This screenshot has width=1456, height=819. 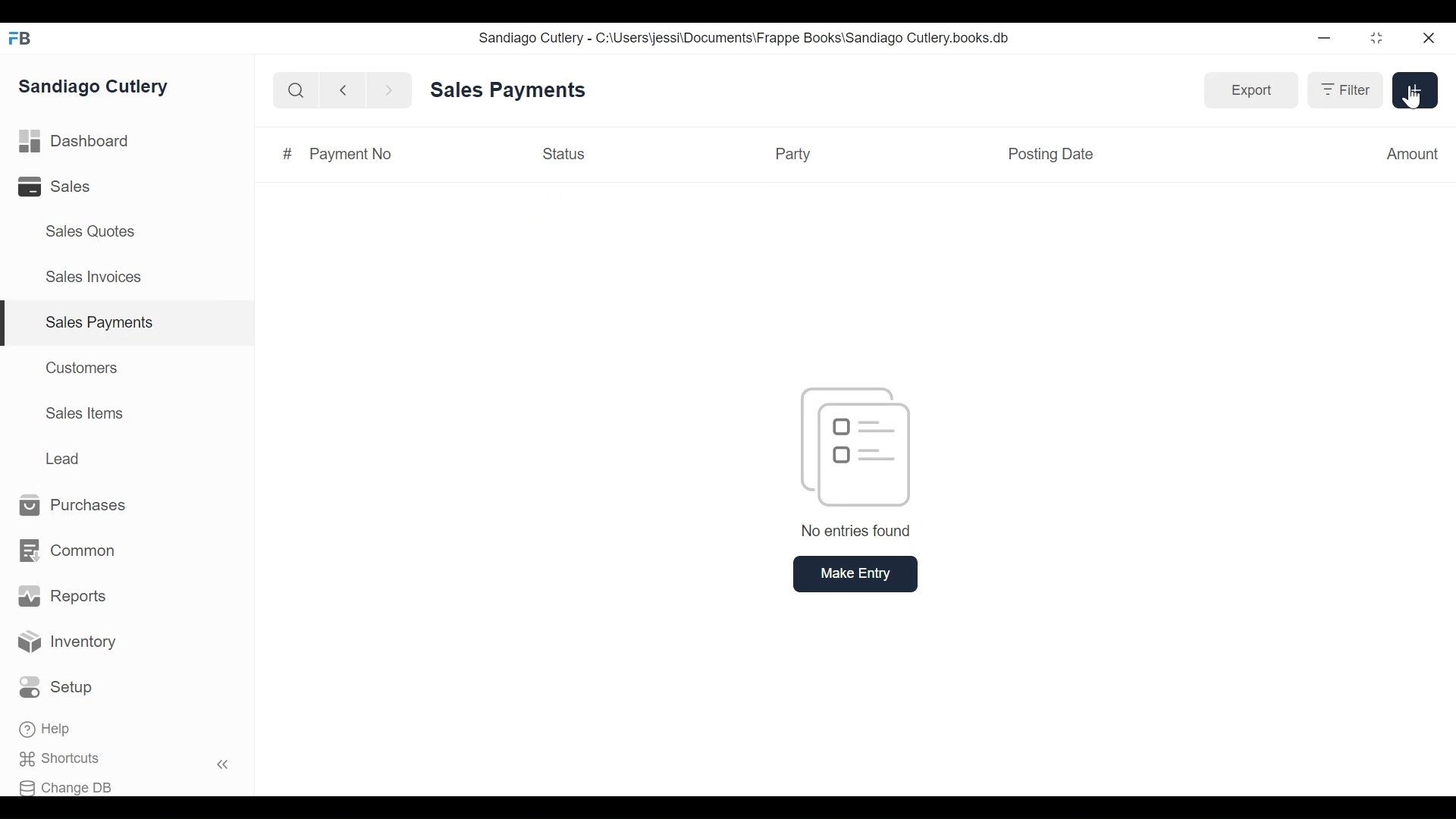 What do you see at coordinates (47, 730) in the screenshot?
I see `Help` at bounding box center [47, 730].